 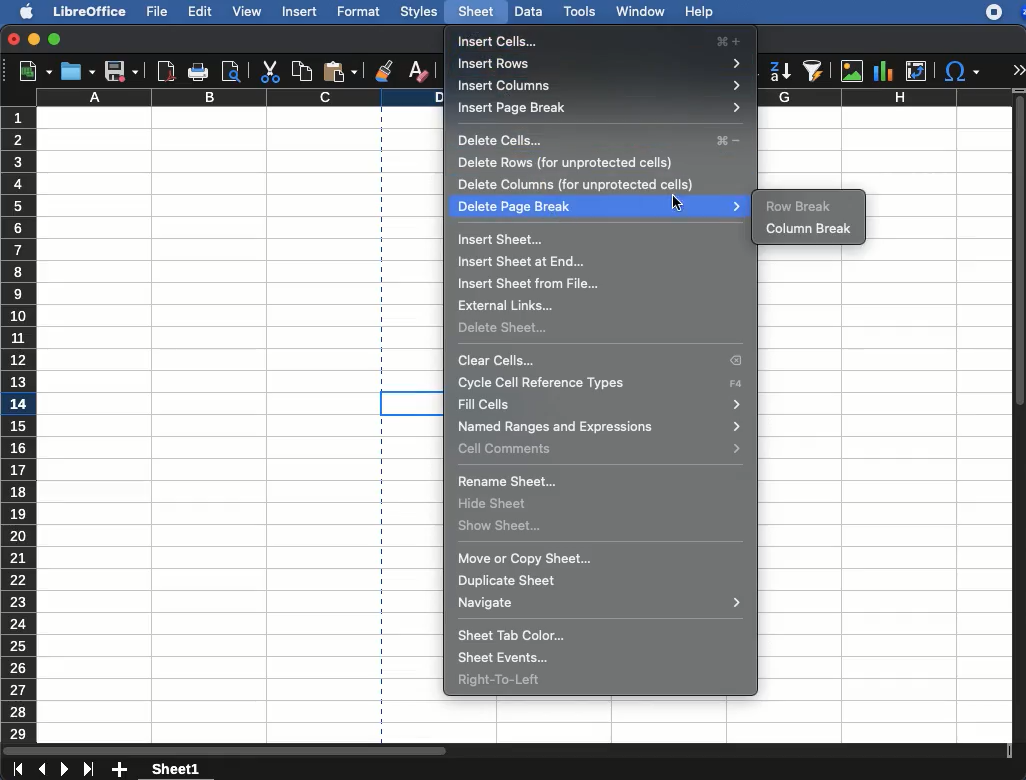 I want to click on descending, so click(x=780, y=73).